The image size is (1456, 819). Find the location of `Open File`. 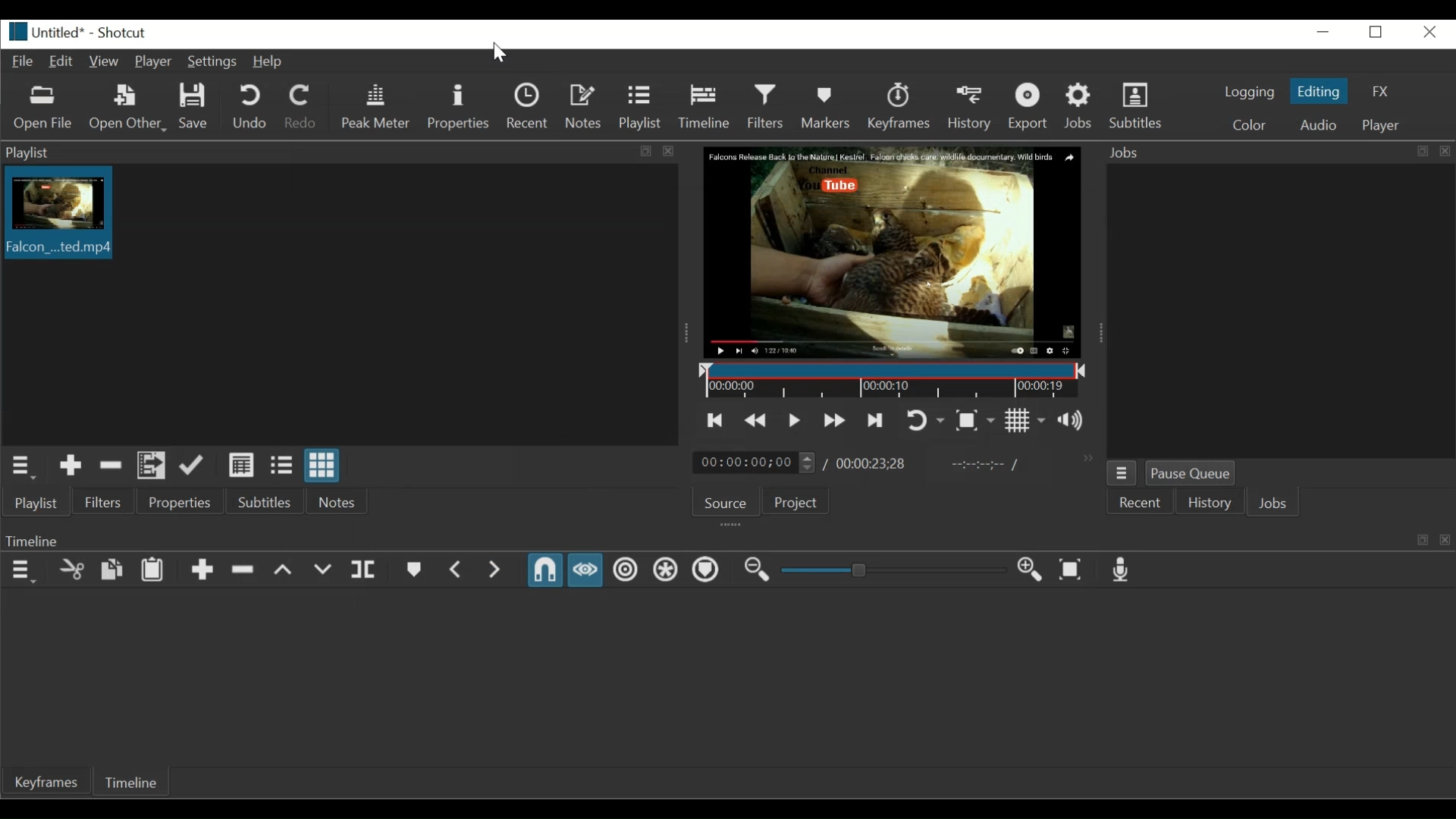

Open File is located at coordinates (45, 107).